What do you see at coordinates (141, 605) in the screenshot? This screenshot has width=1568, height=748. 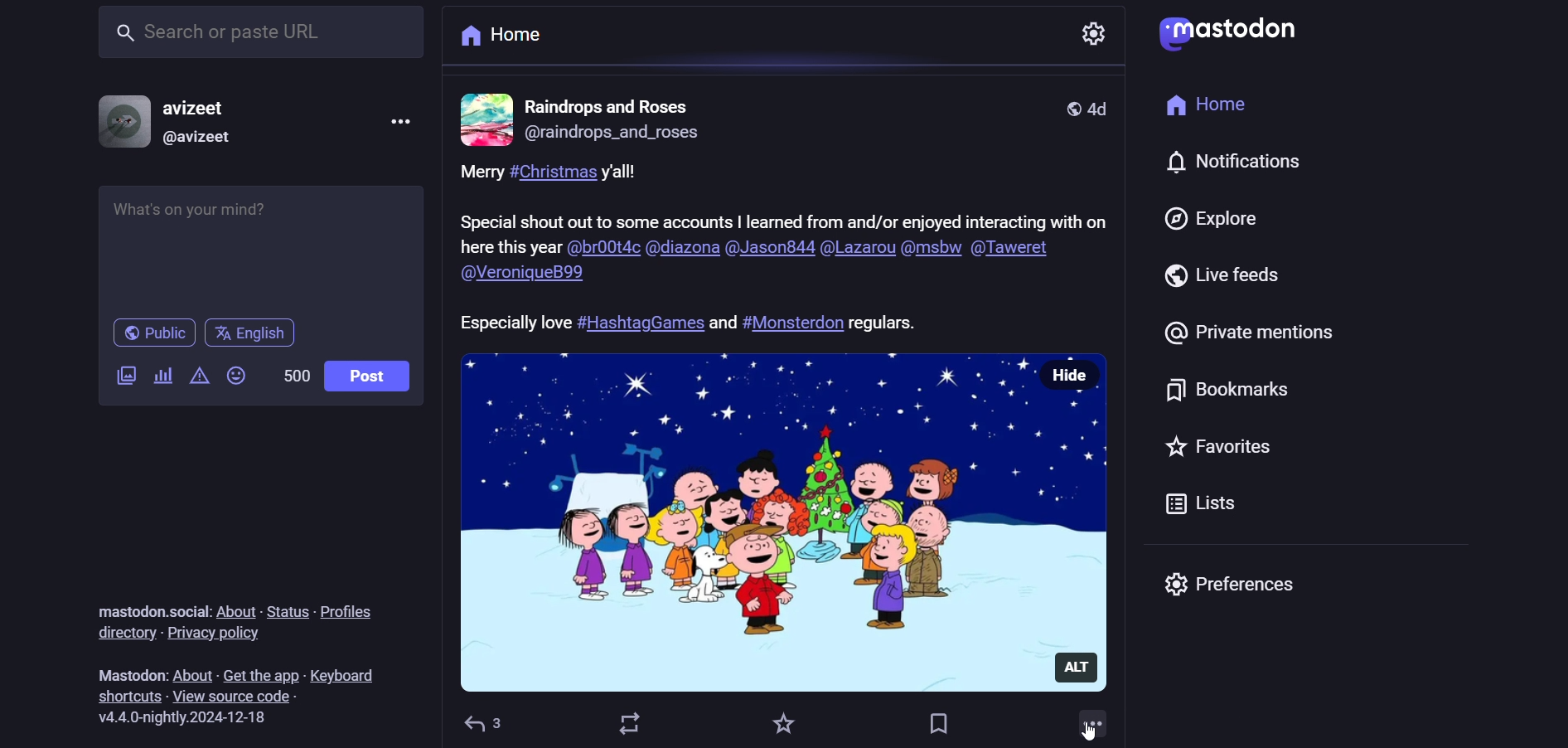 I see `text` at bounding box center [141, 605].